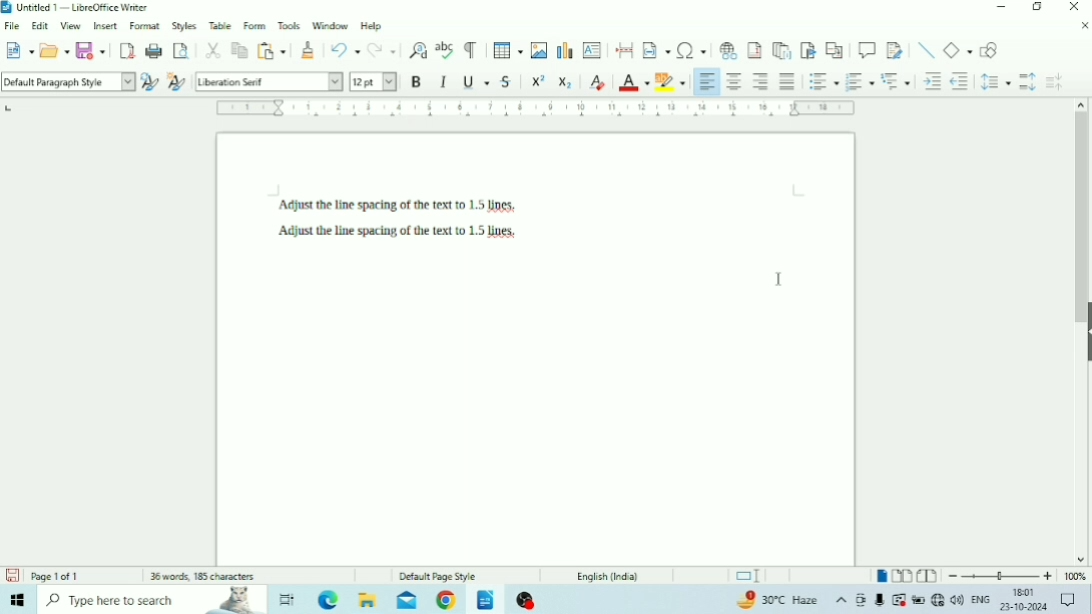 This screenshot has width=1092, height=614. What do you see at coordinates (902, 576) in the screenshot?
I see `Multiple-page view` at bounding box center [902, 576].